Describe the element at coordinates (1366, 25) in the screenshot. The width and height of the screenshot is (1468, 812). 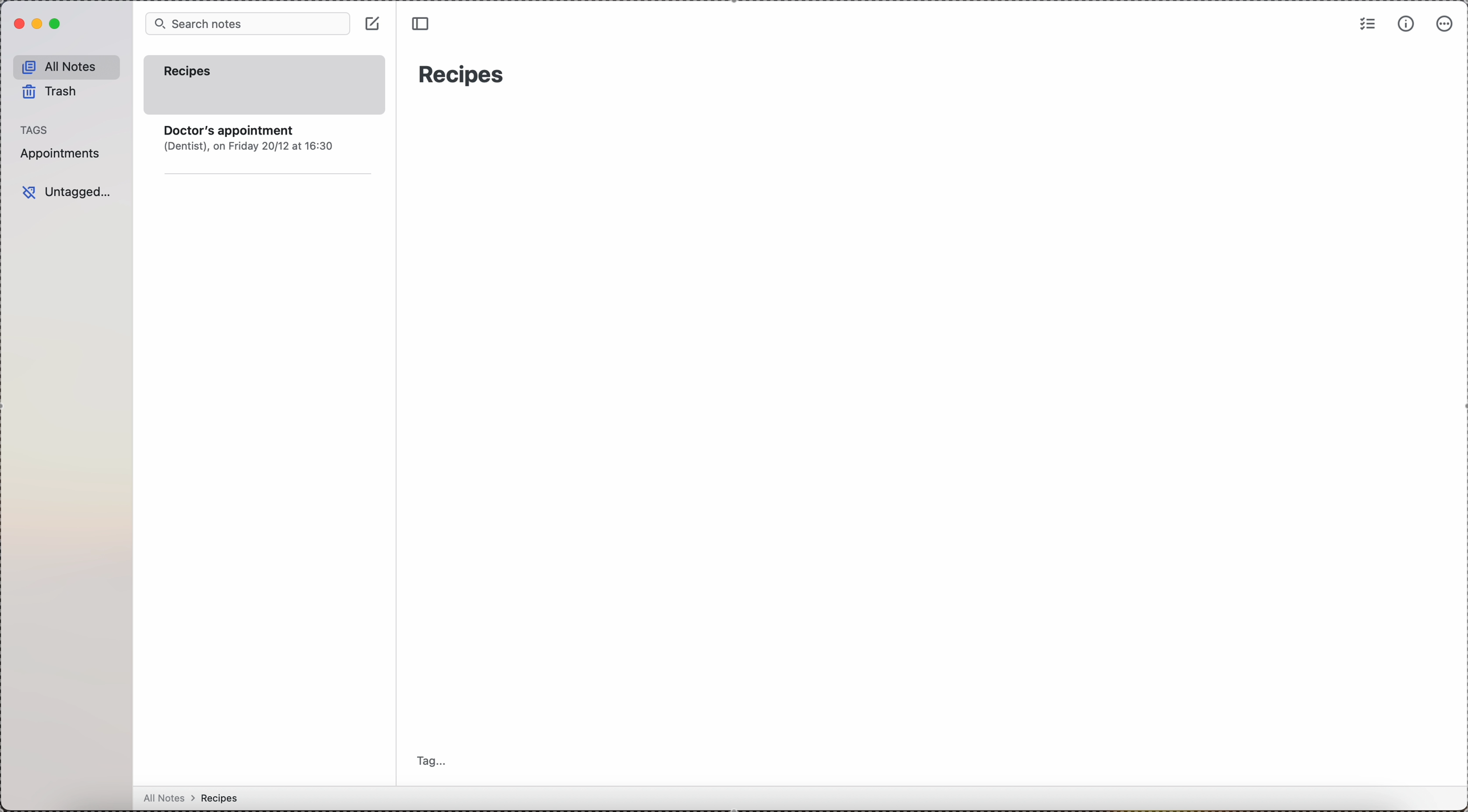
I see `check list` at that location.